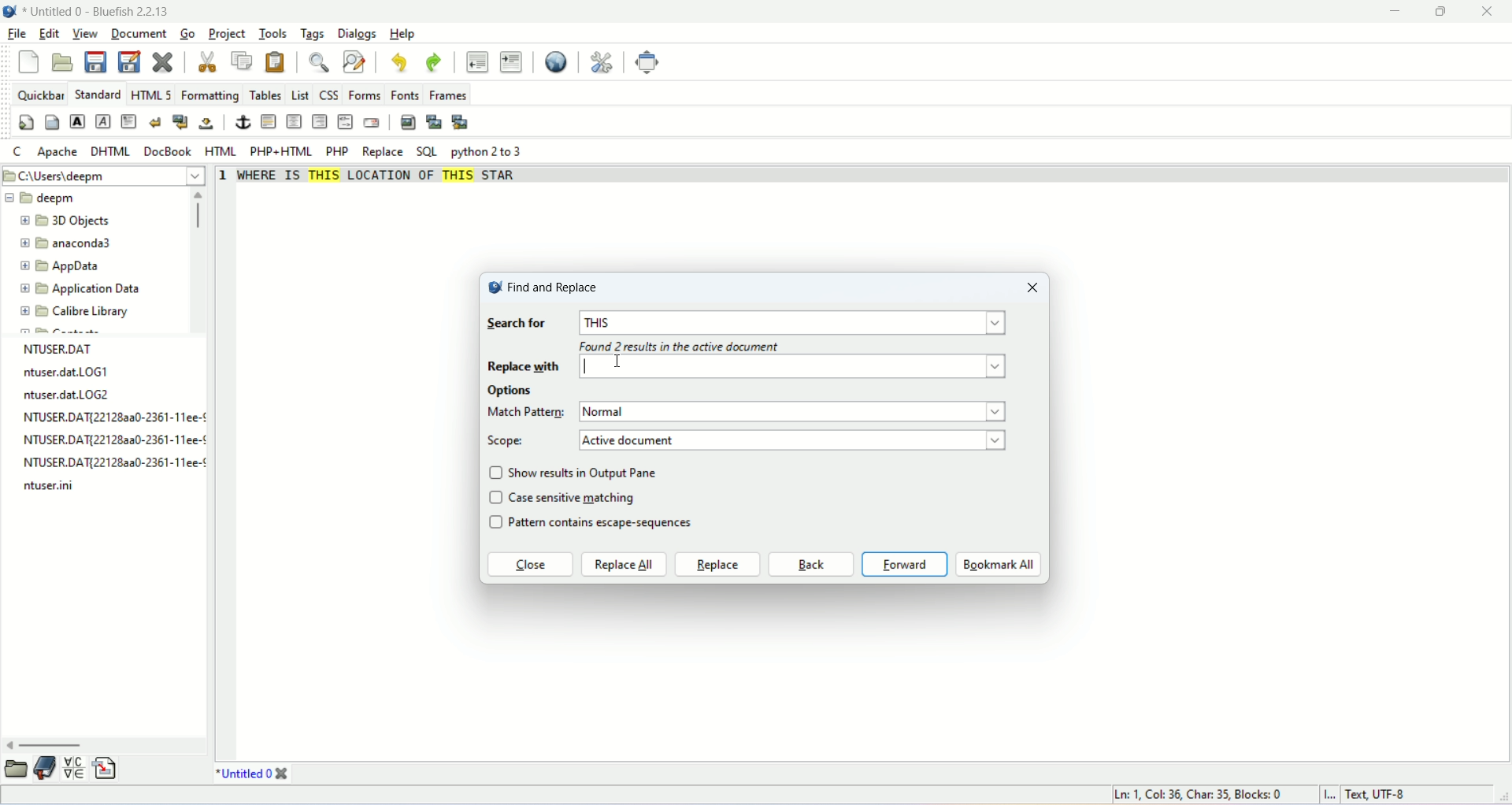 The width and height of the screenshot is (1512, 805). I want to click on forward, so click(905, 564).